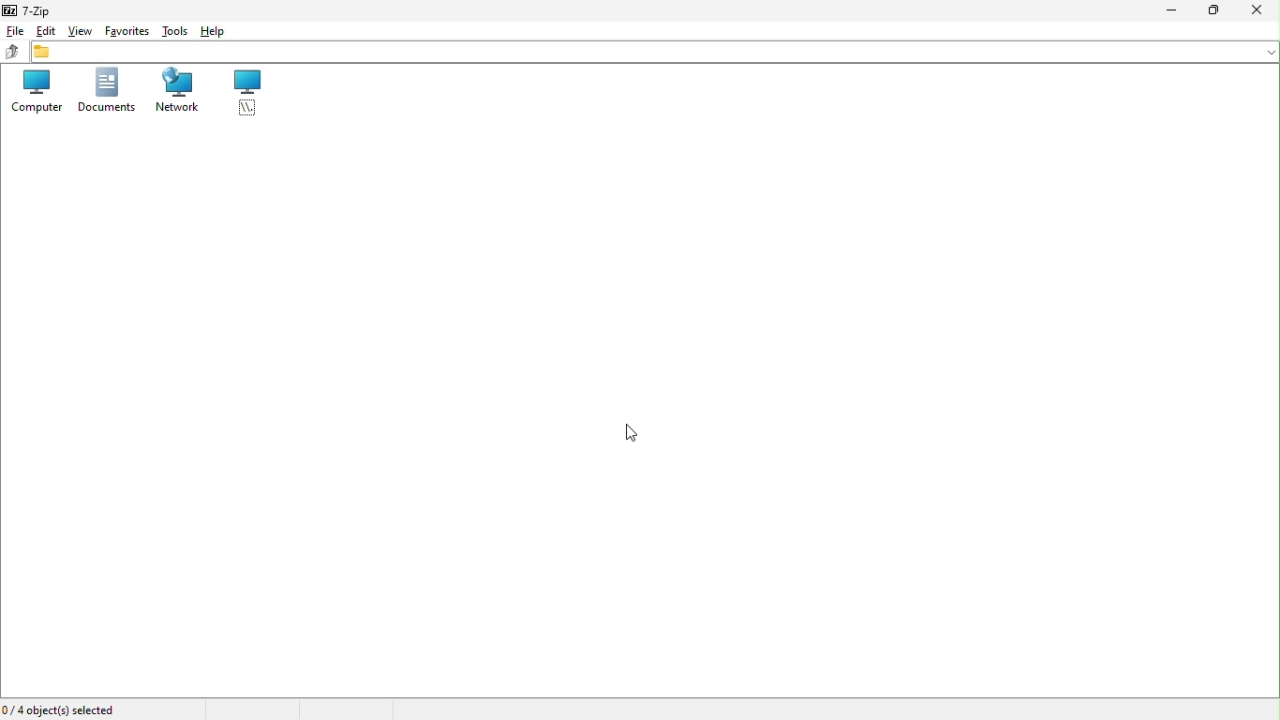 This screenshot has width=1280, height=720. What do you see at coordinates (656, 53) in the screenshot?
I see `file address bar` at bounding box center [656, 53].